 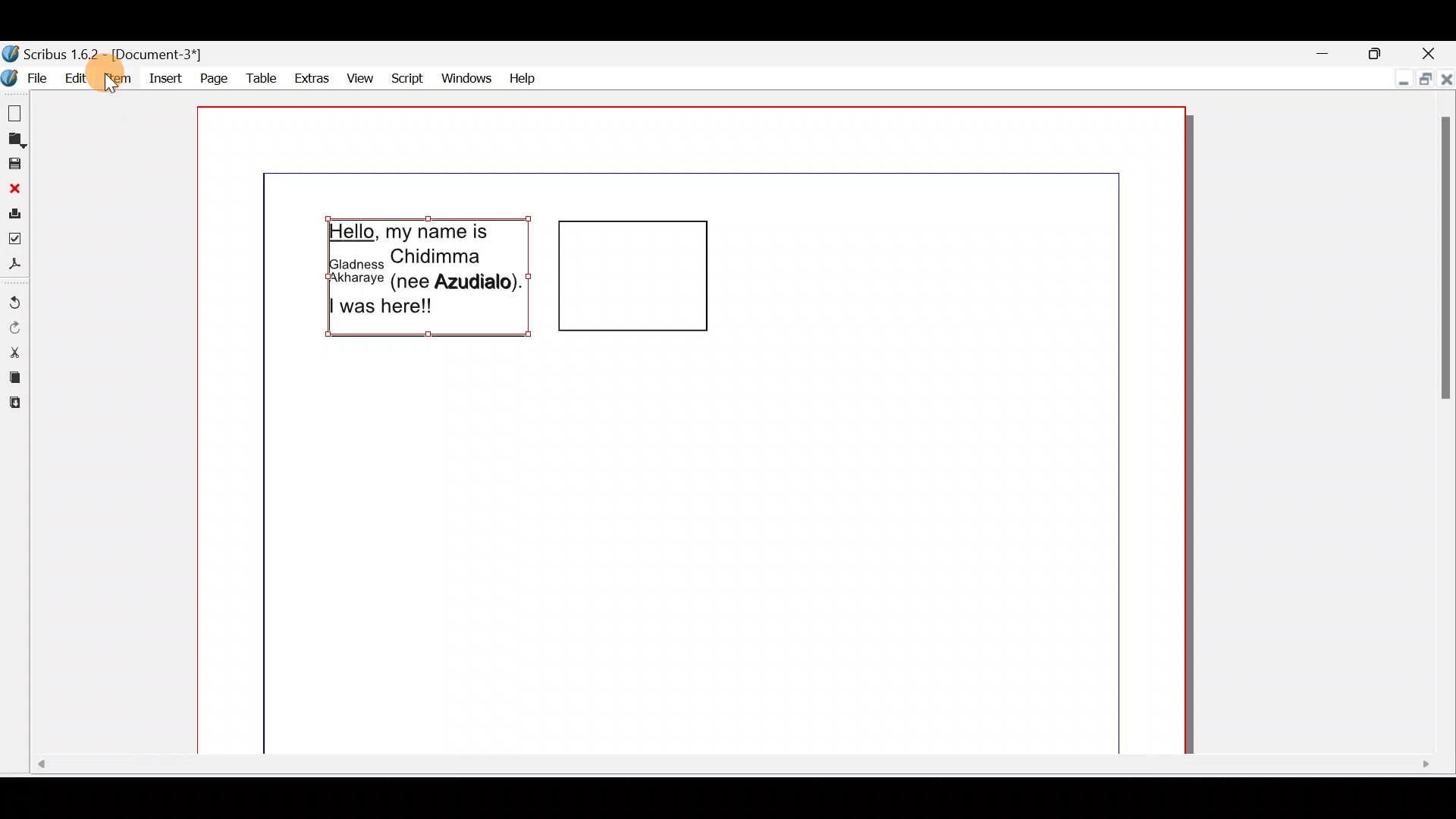 I want to click on Edit, so click(x=77, y=78).